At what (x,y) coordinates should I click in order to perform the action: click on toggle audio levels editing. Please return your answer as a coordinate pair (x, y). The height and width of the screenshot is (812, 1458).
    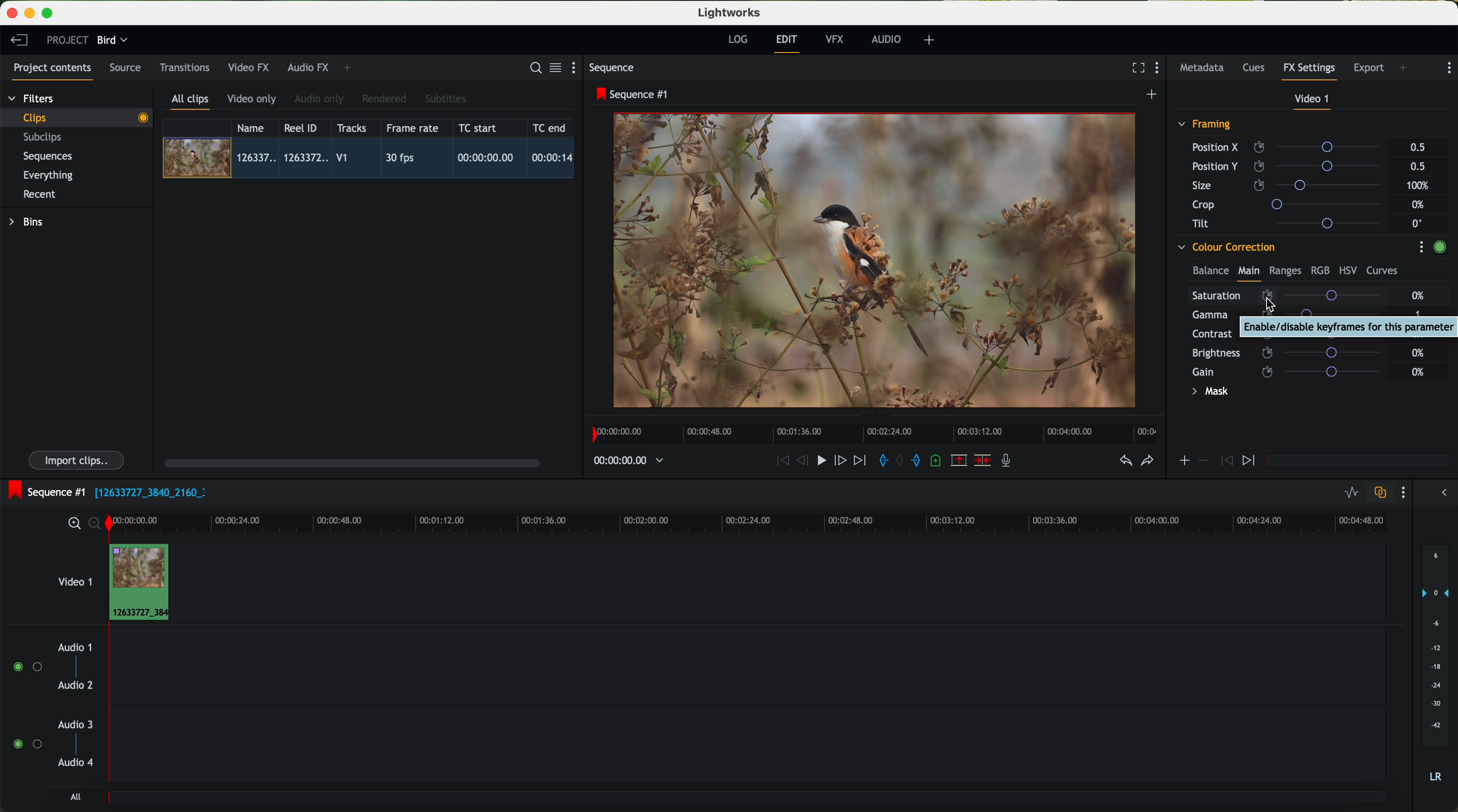
    Looking at the image, I should click on (1351, 494).